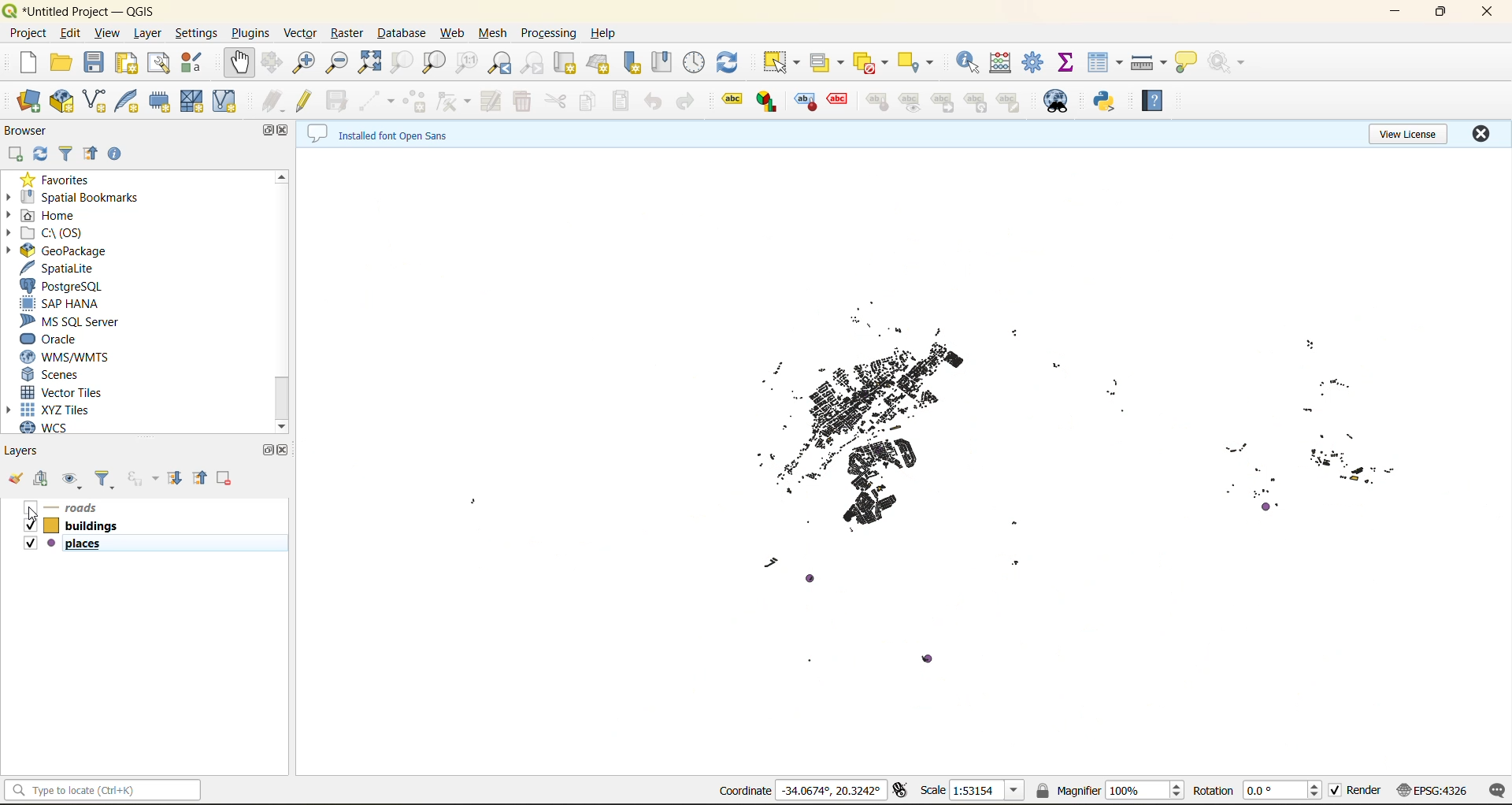 This screenshot has height=805, width=1512. Describe the element at coordinates (1494, 790) in the screenshot. I see `log messages` at that location.